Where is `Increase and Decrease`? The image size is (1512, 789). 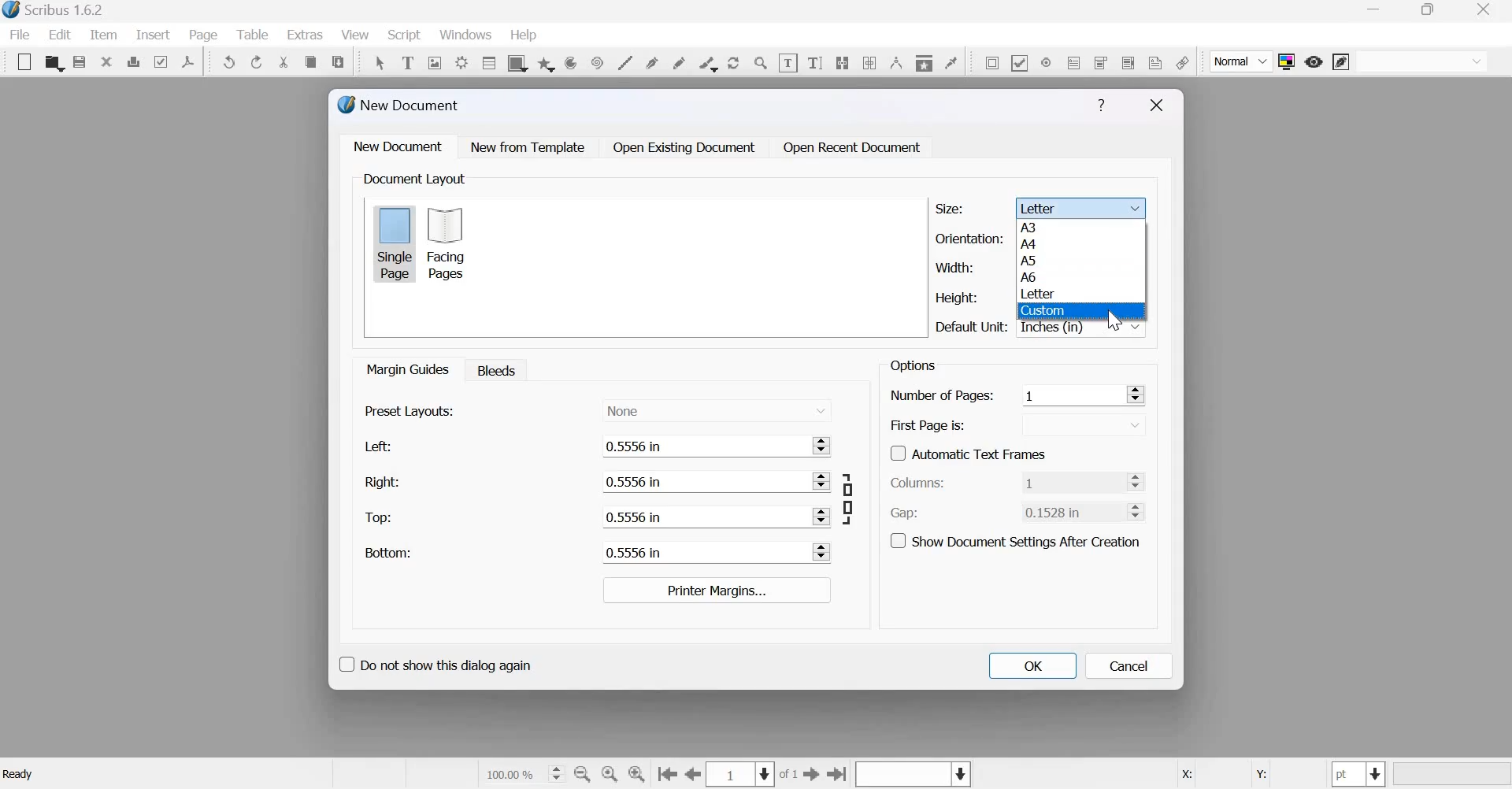 Increase and Decrease is located at coordinates (1140, 481).